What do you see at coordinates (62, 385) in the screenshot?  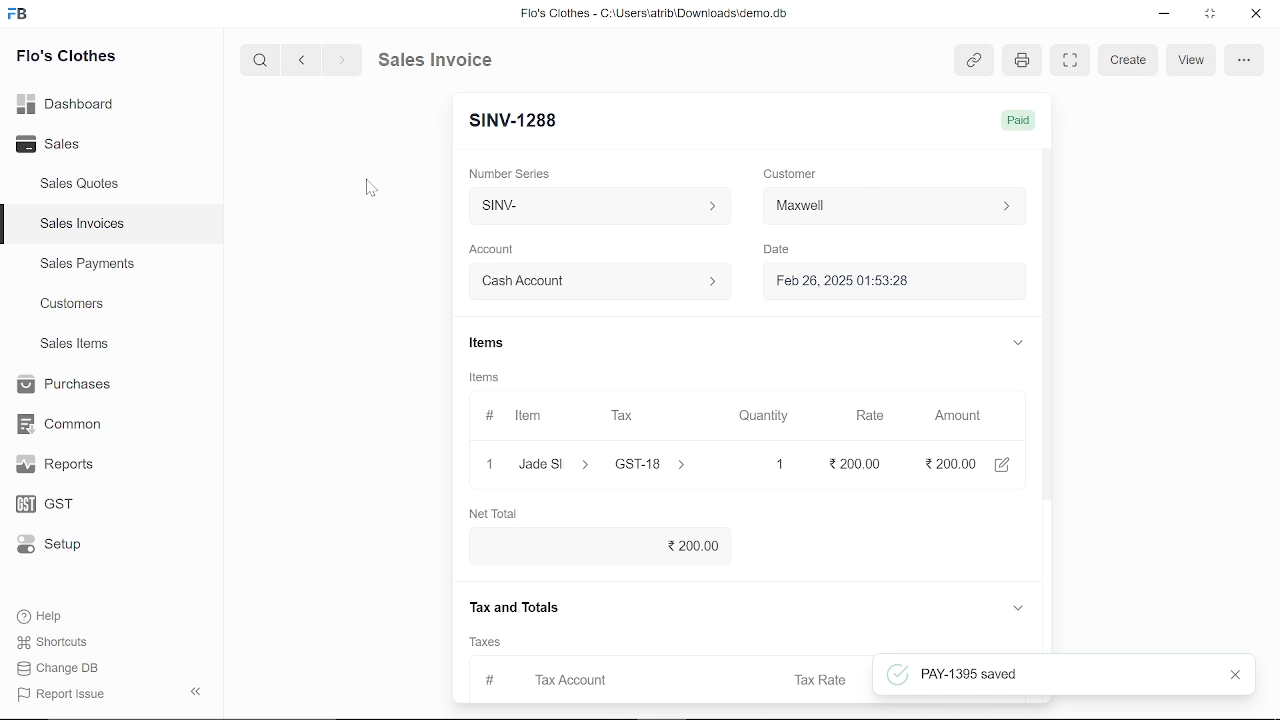 I see `Purchases` at bounding box center [62, 385].